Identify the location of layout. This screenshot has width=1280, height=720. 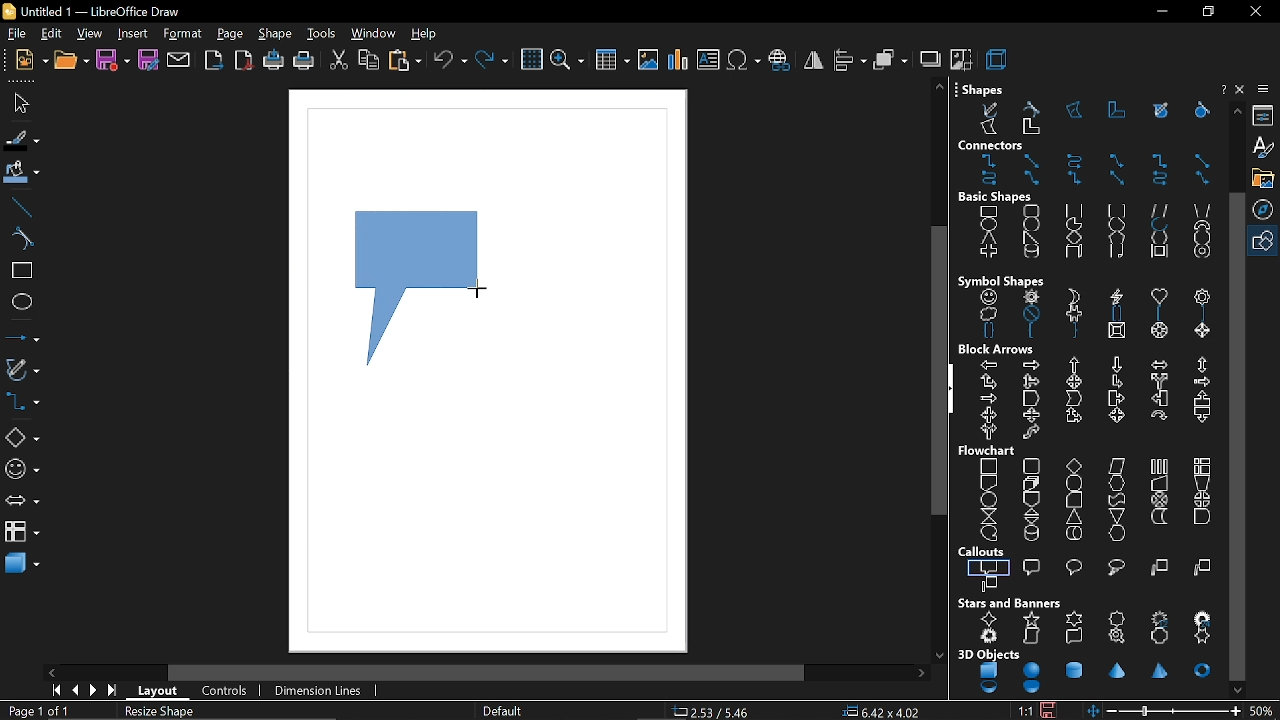
(156, 691).